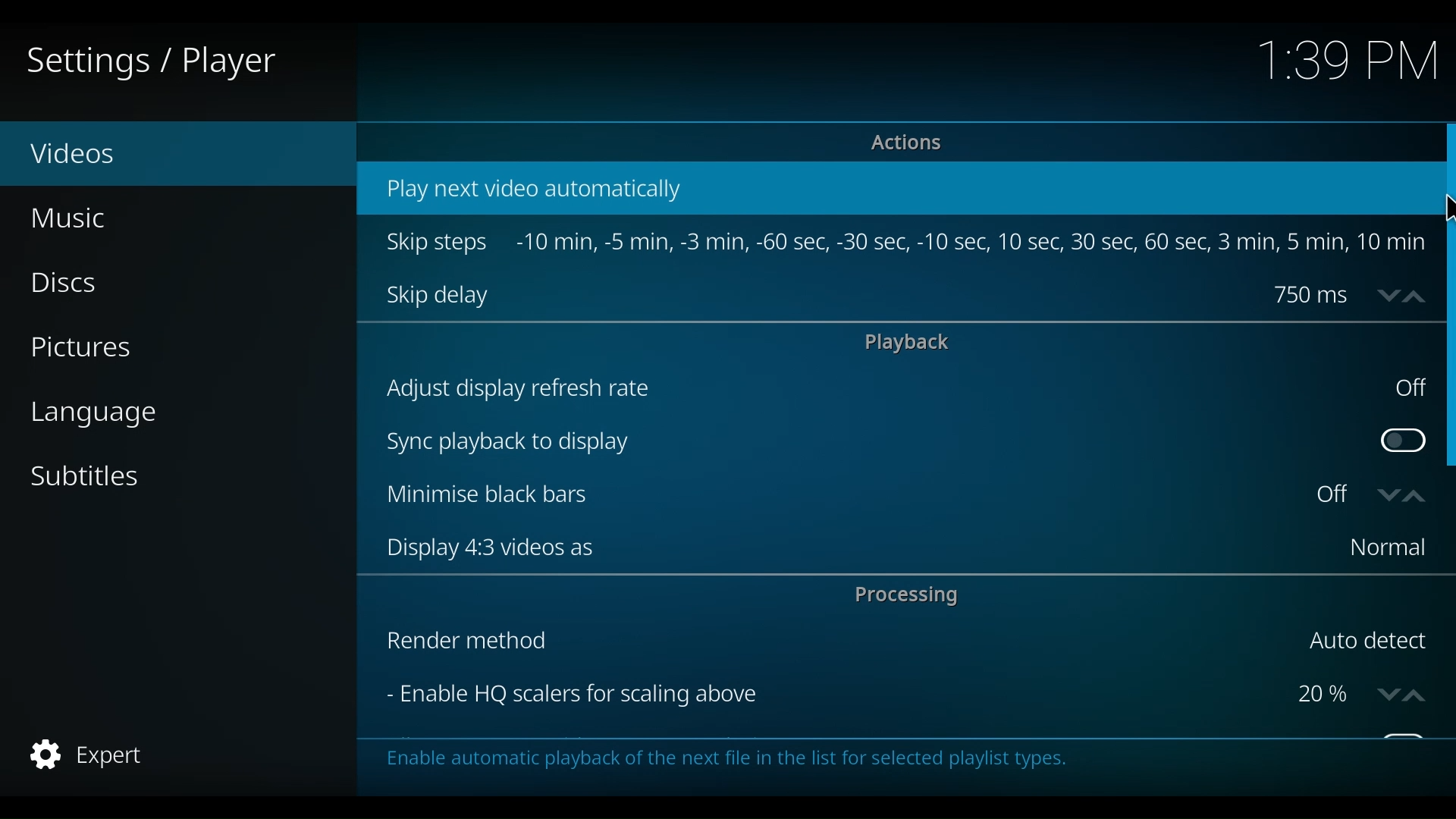 Image resolution: width=1456 pixels, height=819 pixels. I want to click on Display 4:3 videos as, so click(857, 547).